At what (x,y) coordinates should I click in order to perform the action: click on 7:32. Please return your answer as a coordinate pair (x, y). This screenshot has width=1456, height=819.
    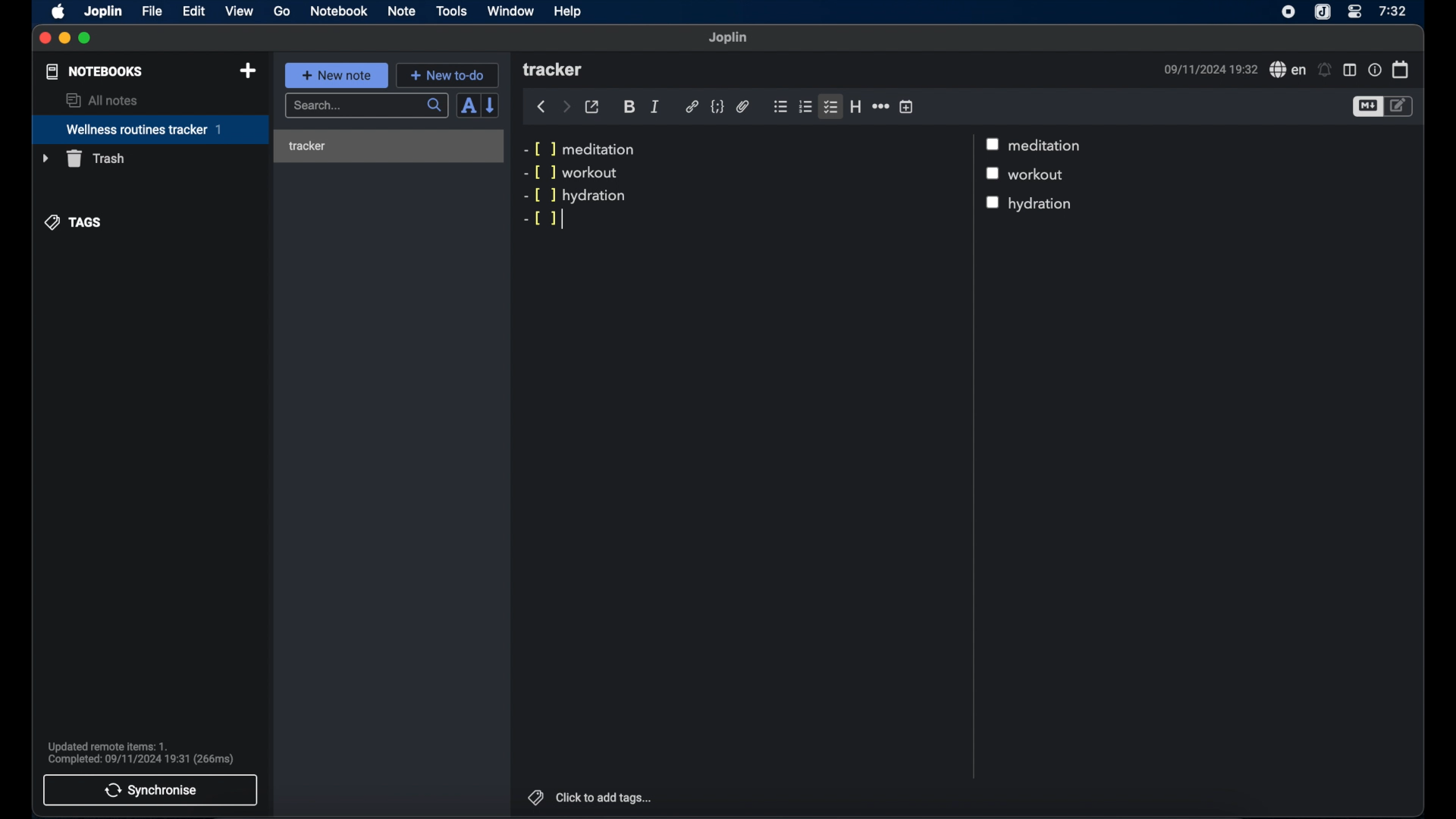
    Looking at the image, I should click on (1392, 11).